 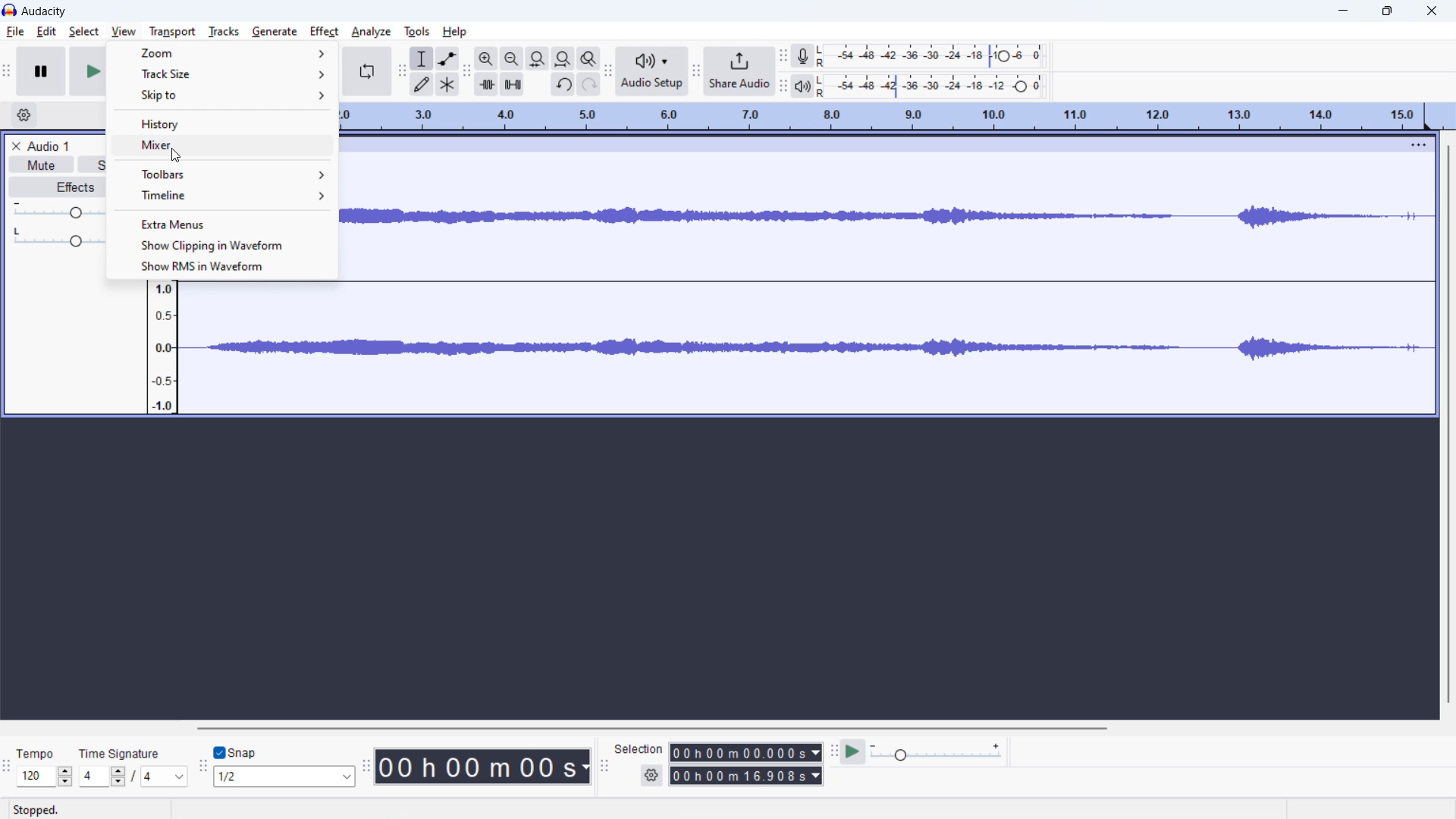 What do you see at coordinates (163, 337) in the screenshot?
I see `amplitude` at bounding box center [163, 337].